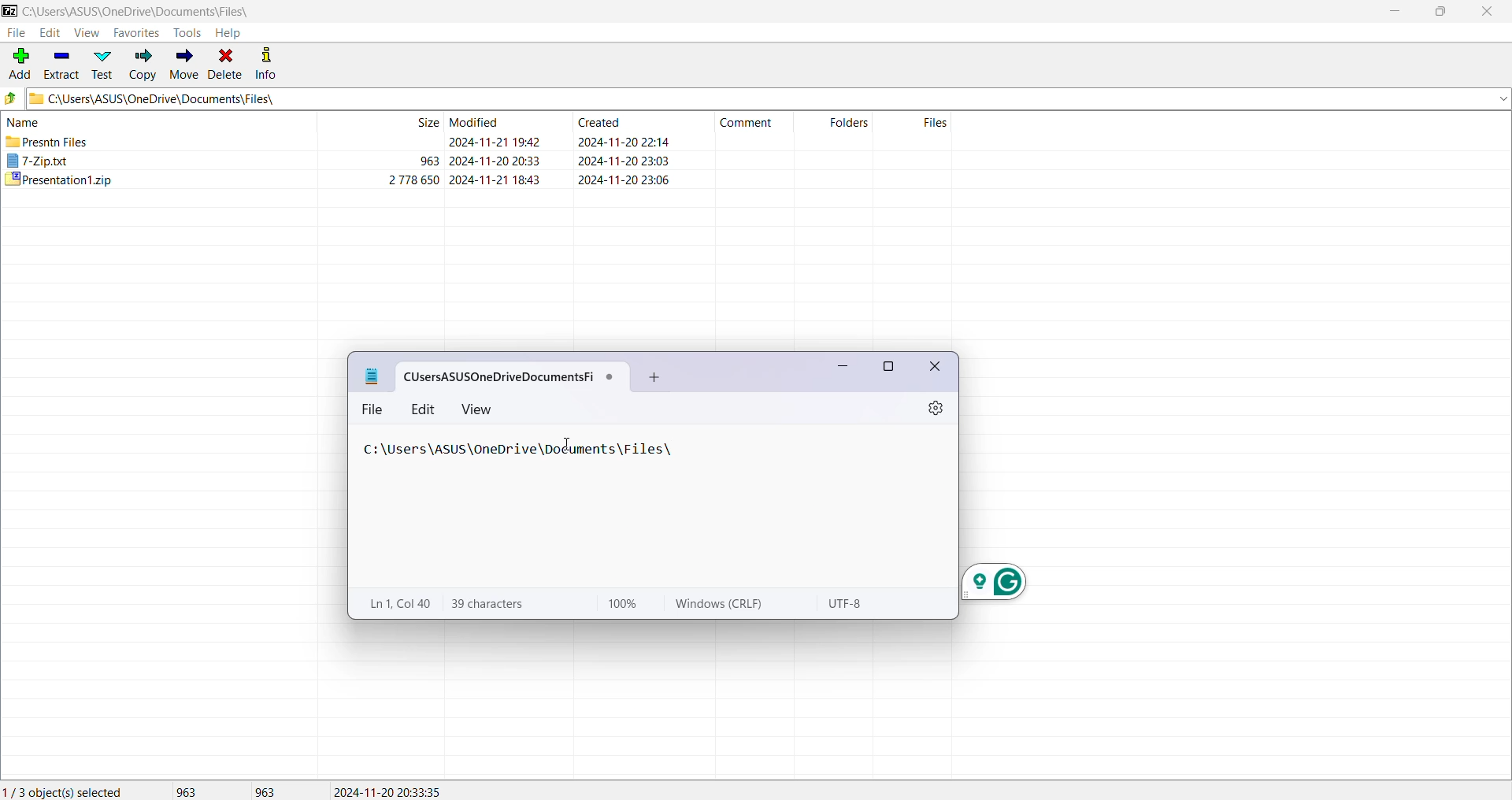 The width and height of the screenshot is (1512, 800). Describe the element at coordinates (1396, 12) in the screenshot. I see `Minimize` at that location.